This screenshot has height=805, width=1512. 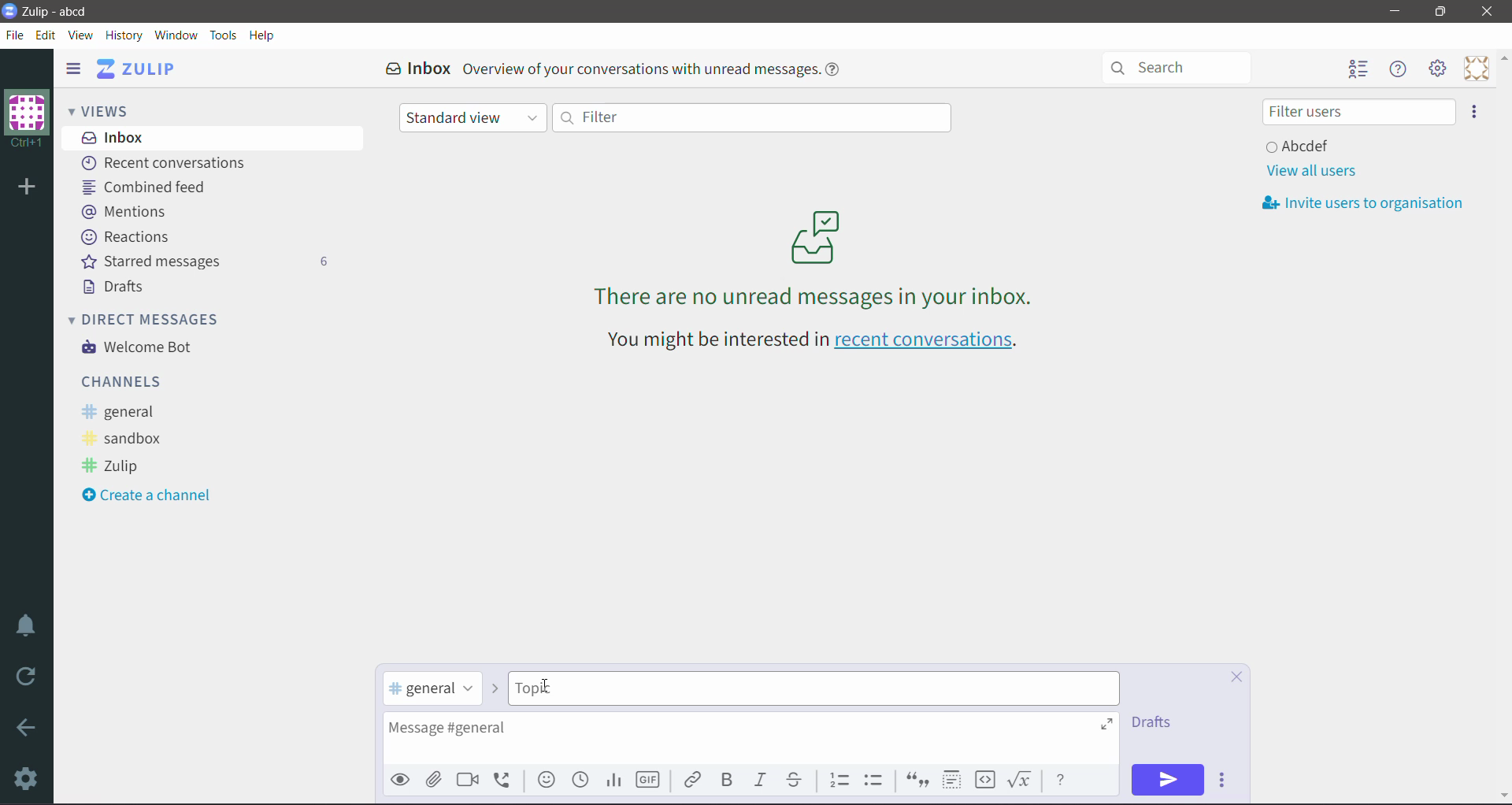 What do you see at coordinates (618, 69) in the screenshot?
I see `Inbox Overview of your conversations with unread messages` at bounding box center [618, 69].